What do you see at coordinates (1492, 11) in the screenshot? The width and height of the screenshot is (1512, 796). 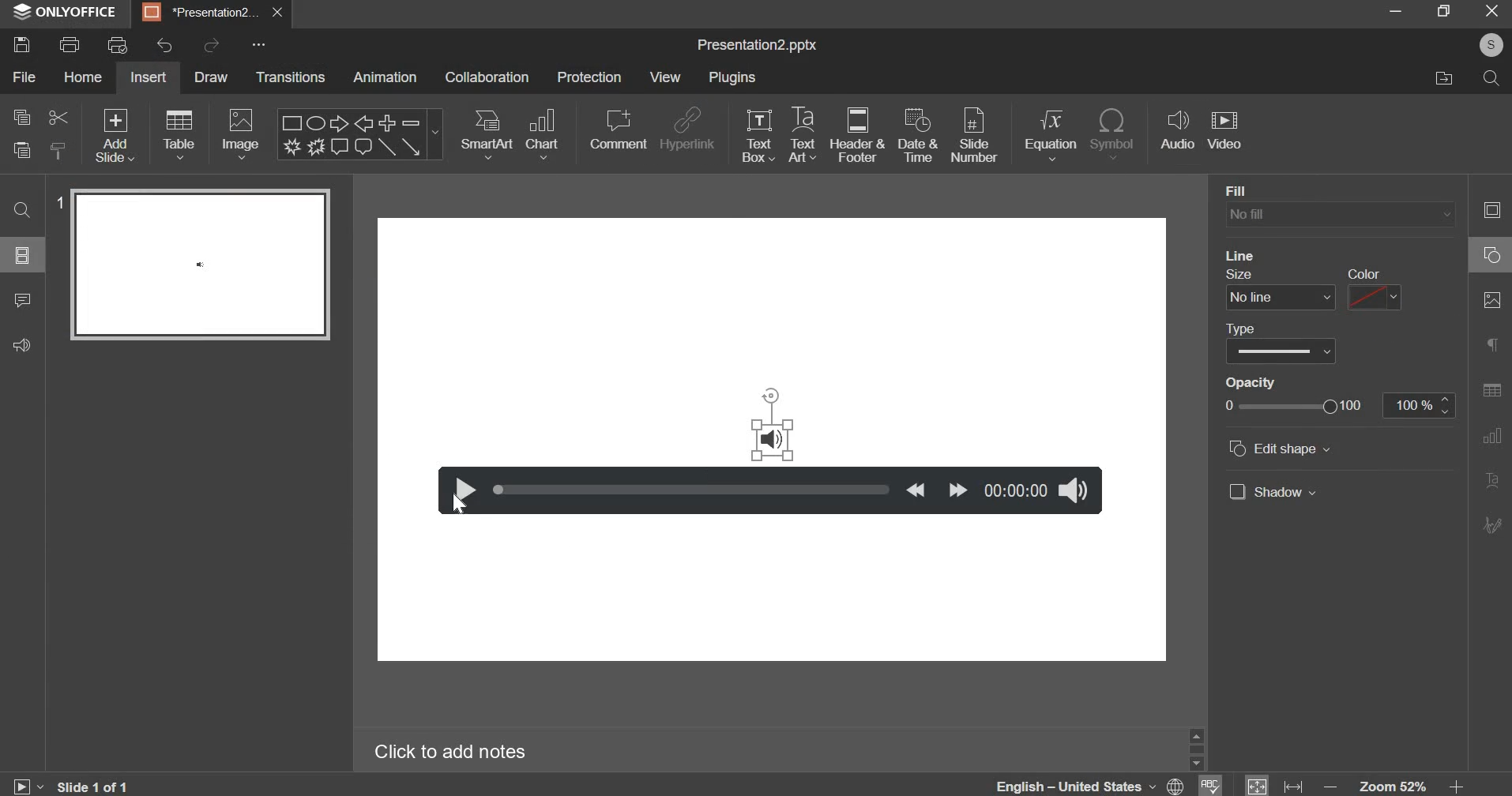 I see `exit` at bounding box center [1492, 11].